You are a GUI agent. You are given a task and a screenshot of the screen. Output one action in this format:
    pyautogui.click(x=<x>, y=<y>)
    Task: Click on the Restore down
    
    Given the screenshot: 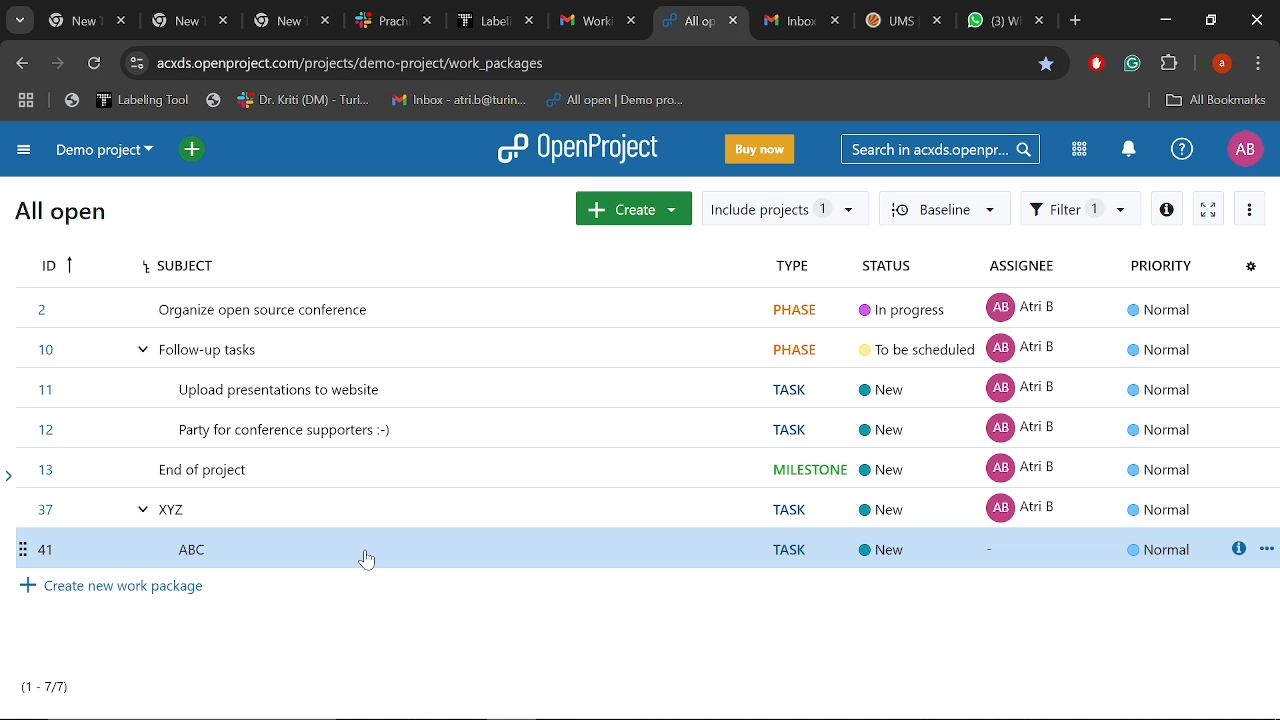 What is the action you would take?
    pyautogui.click(x=1212, y=20)
    